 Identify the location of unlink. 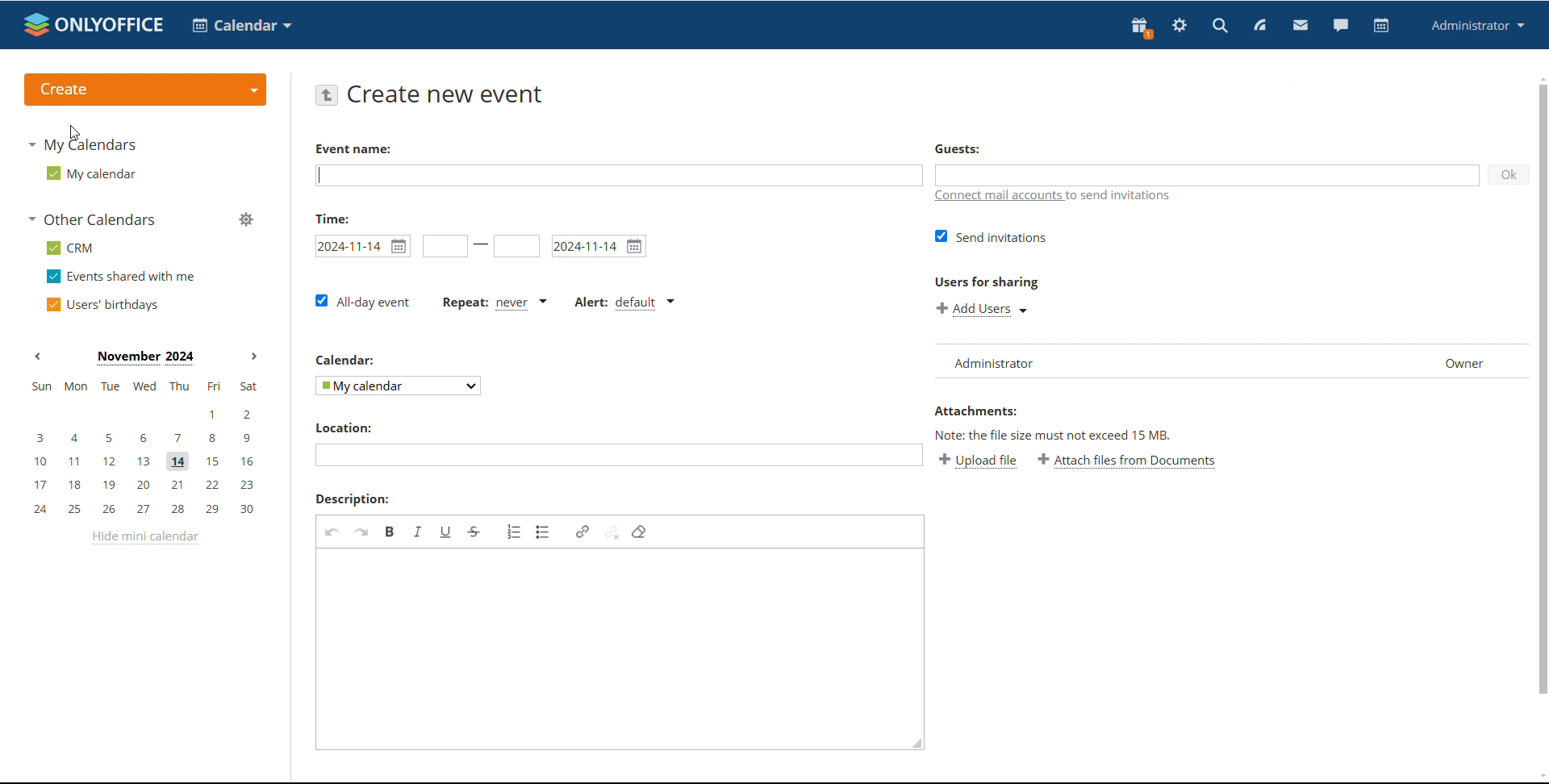
(612, 531).